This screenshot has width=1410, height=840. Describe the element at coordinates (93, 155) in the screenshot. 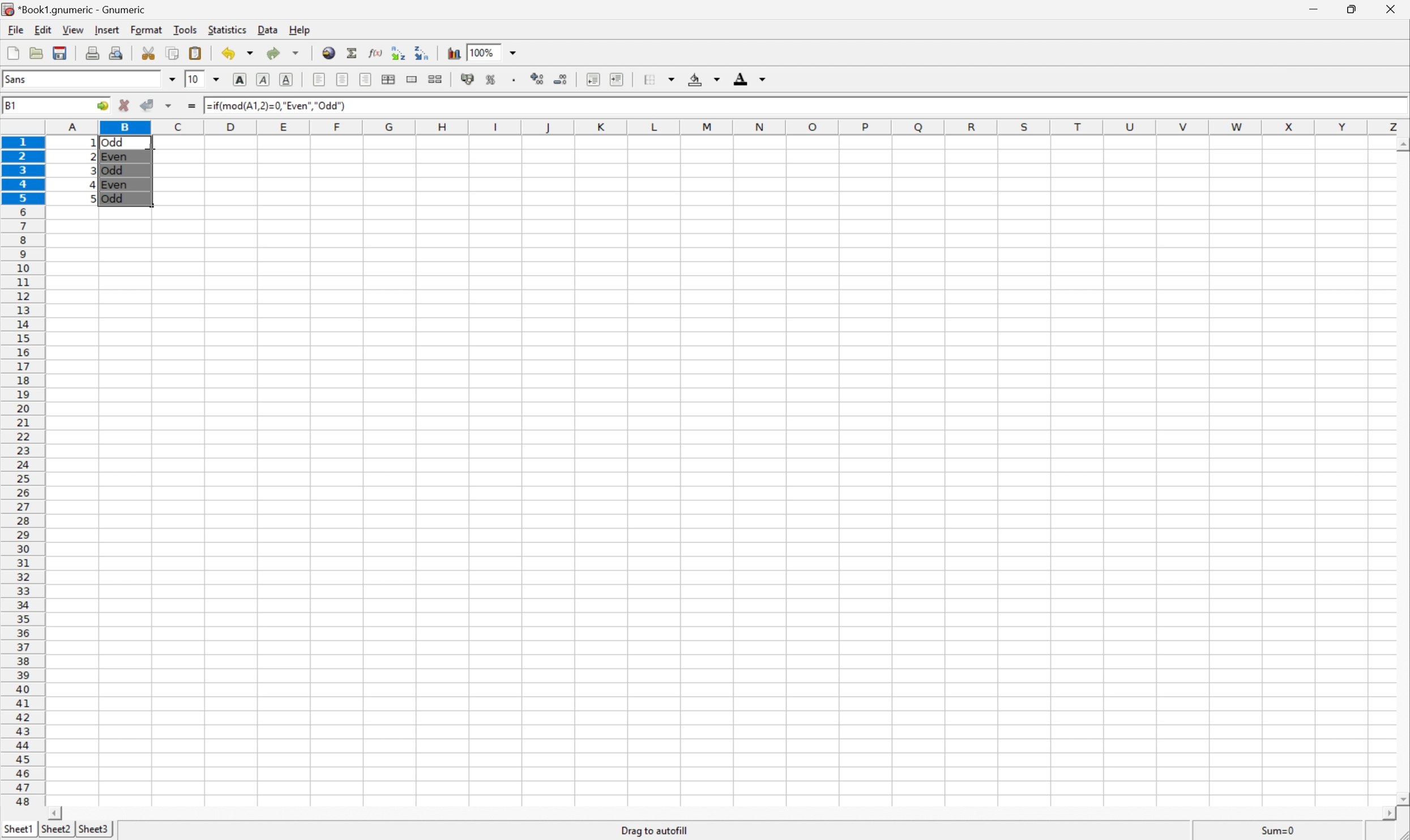

I see `2` at that location.